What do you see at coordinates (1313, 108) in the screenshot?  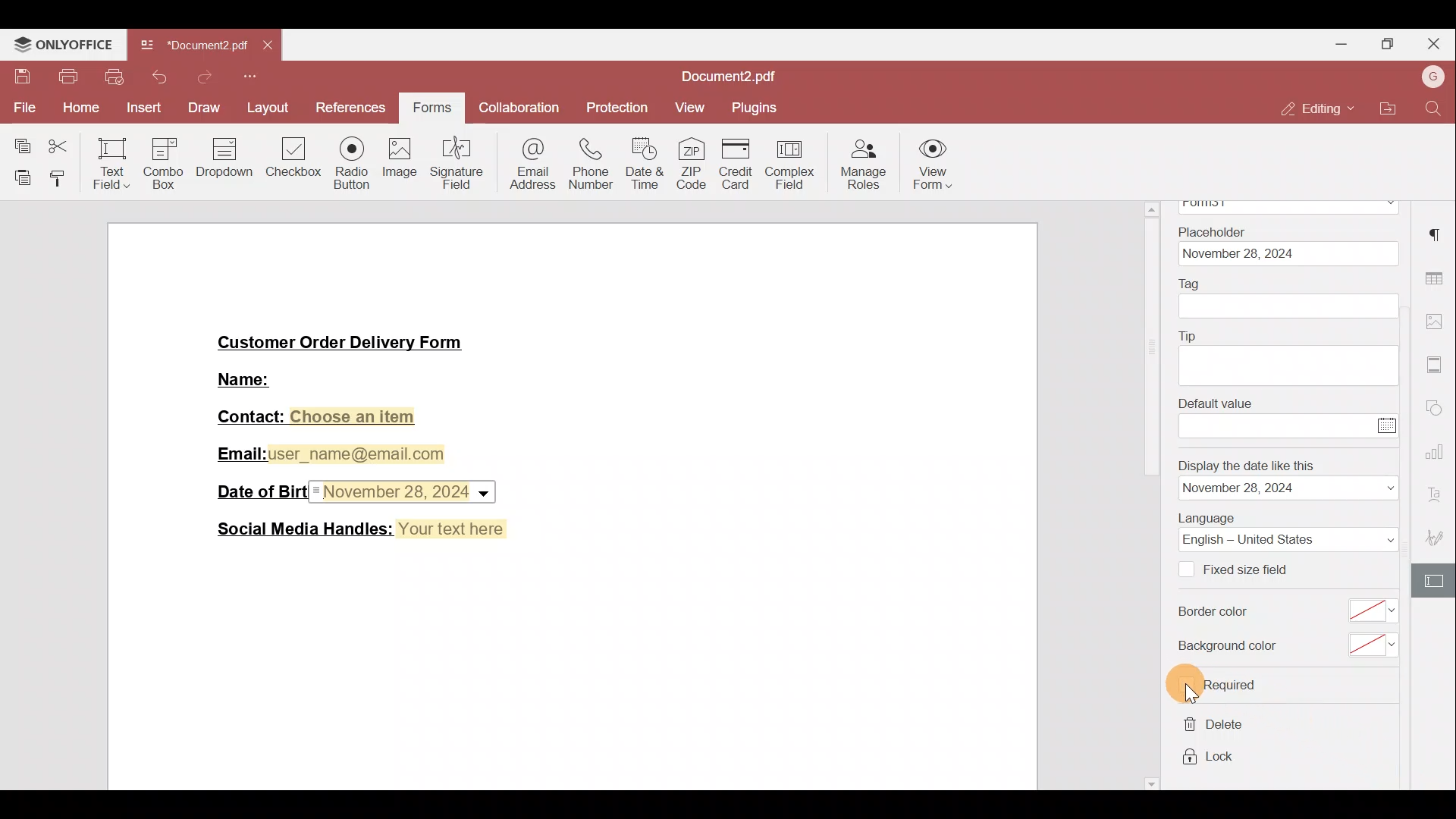 I see `Editing mode` at bounding box center [1313, 108].